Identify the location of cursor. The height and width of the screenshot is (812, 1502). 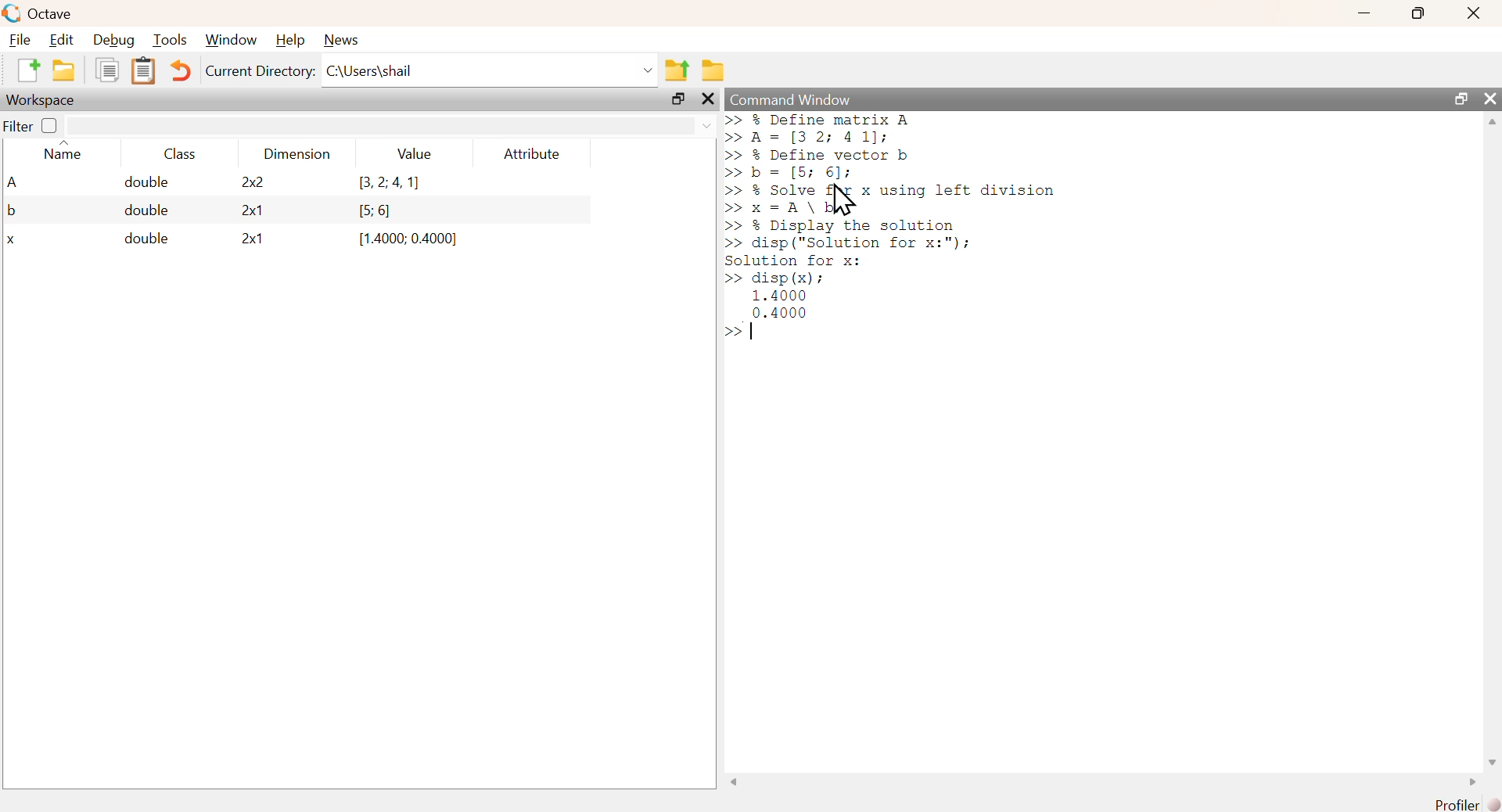
(843, 202).